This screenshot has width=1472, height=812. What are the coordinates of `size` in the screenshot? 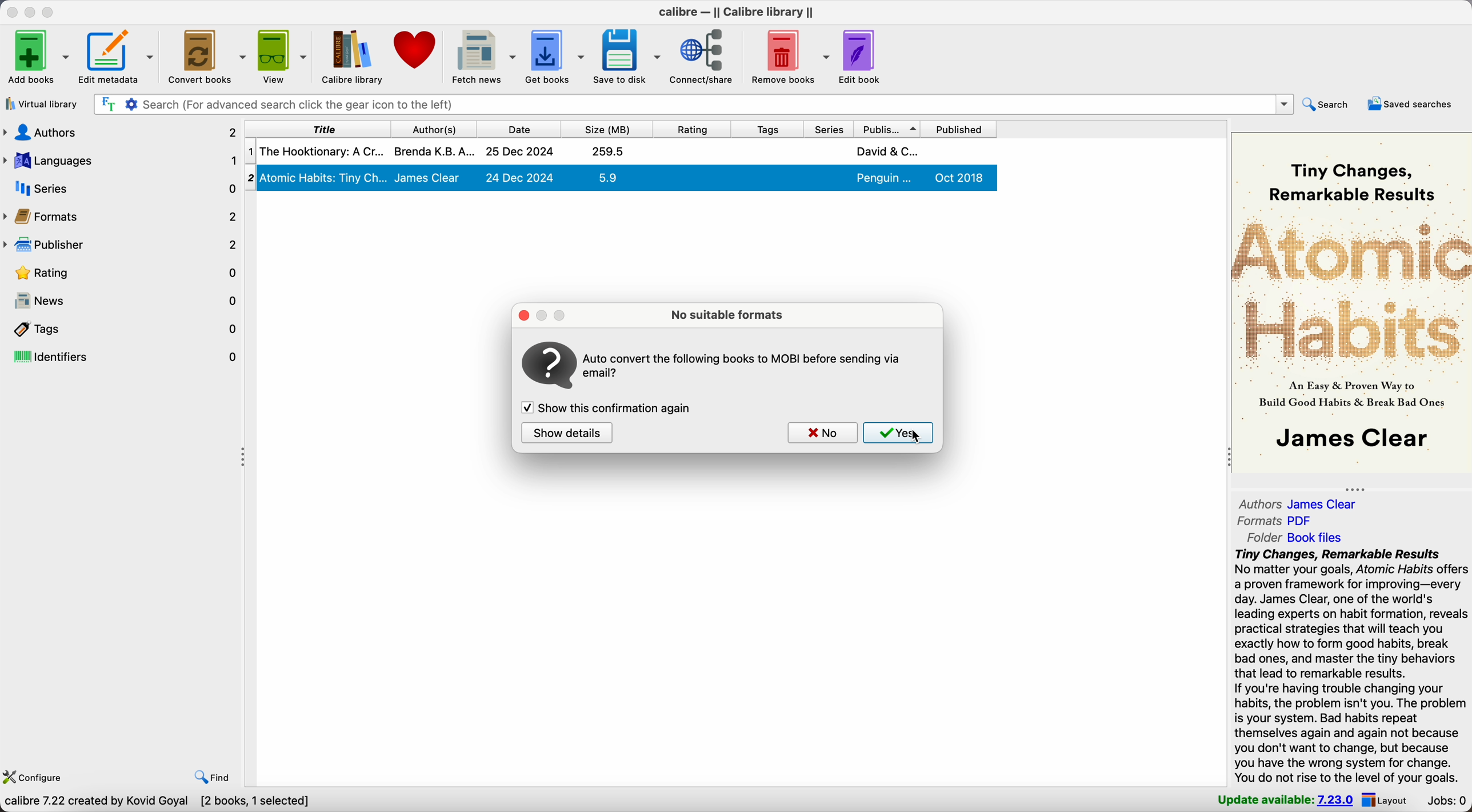 It's located at (606, 127).